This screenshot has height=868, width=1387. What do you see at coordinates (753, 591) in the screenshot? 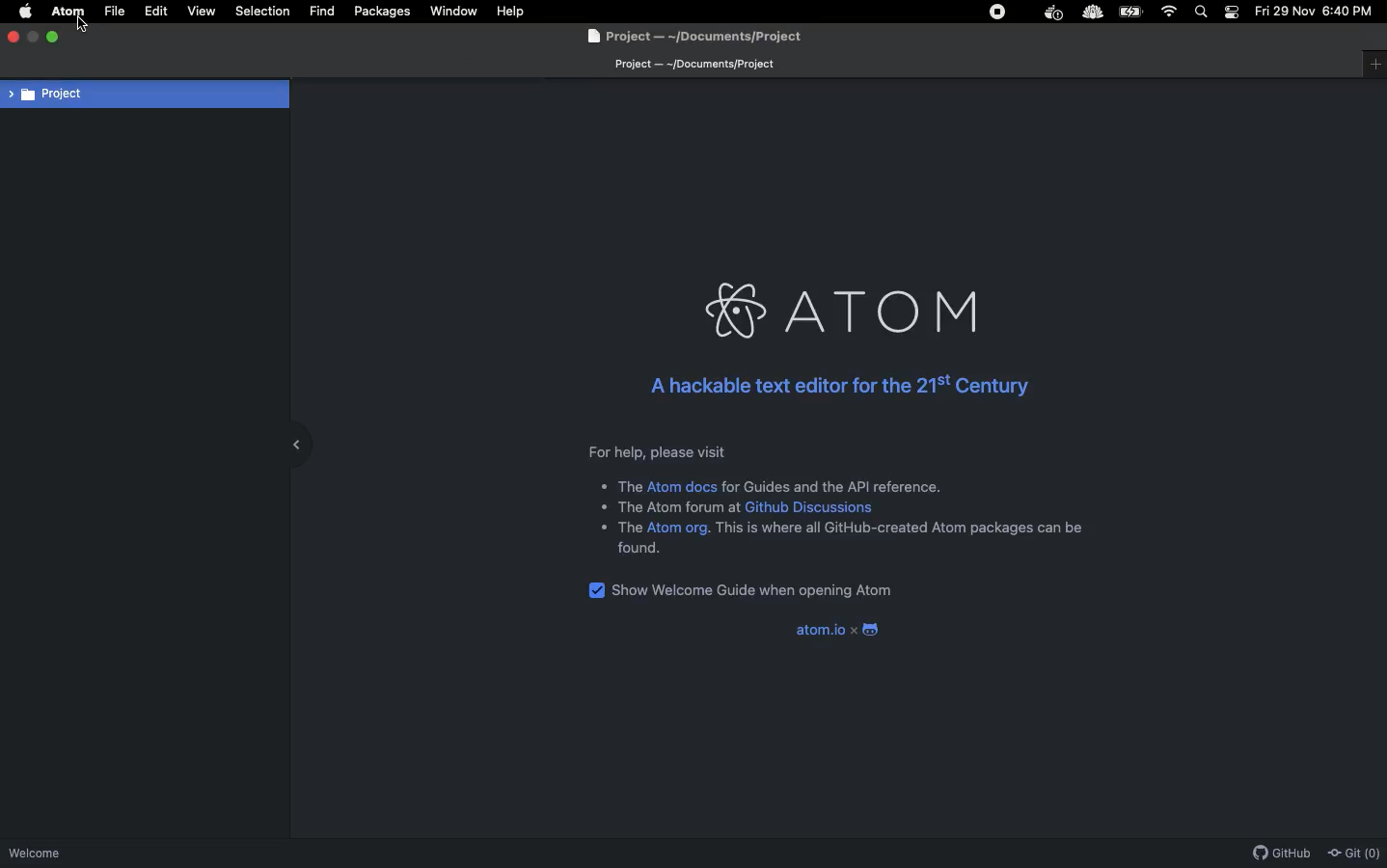
I see `Show welcome guide when opening` at bounding box center [753, 591].